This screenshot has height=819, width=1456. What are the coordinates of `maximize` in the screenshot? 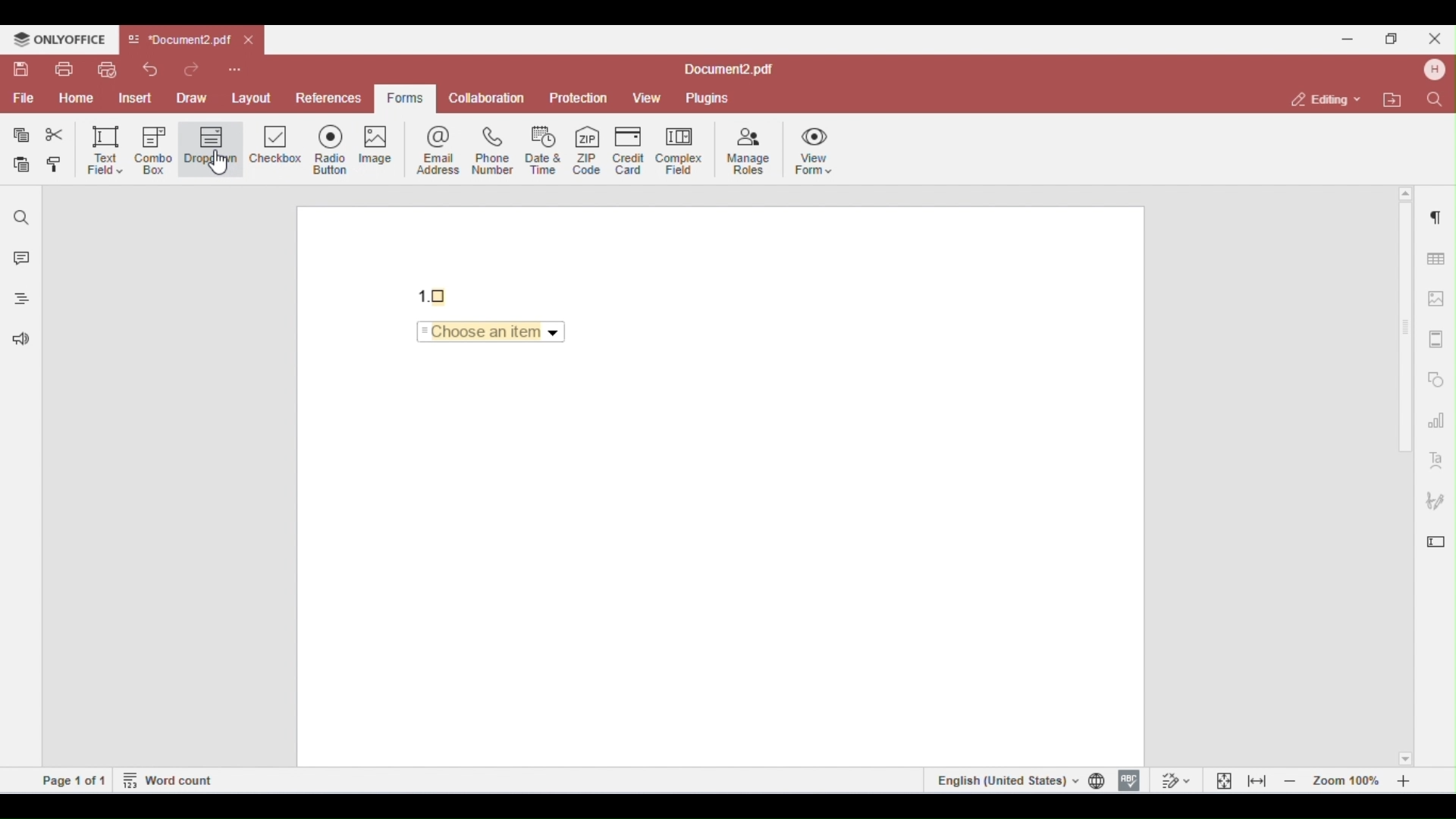 It's located at (1395, 38).